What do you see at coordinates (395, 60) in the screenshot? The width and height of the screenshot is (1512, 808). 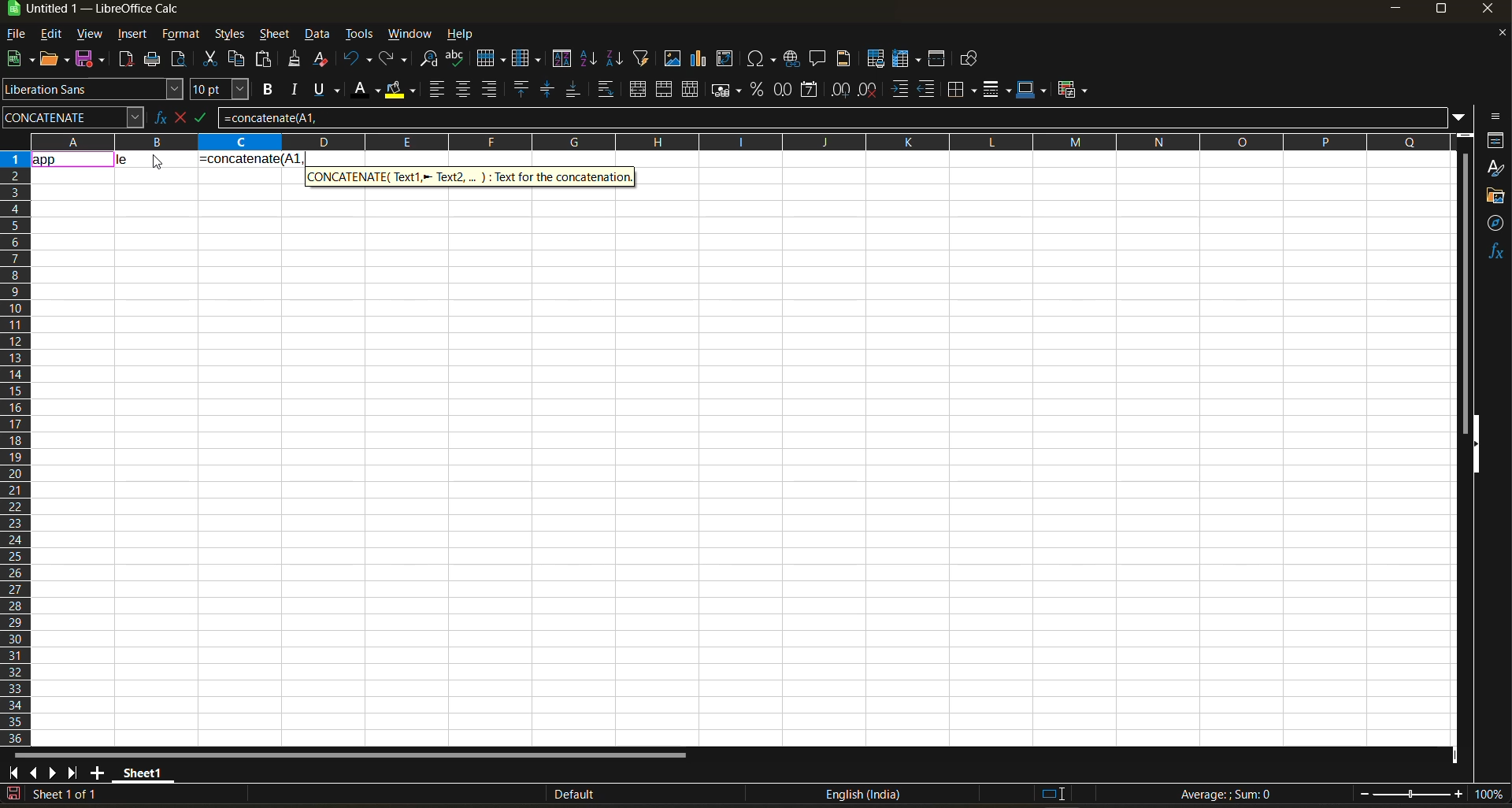 I see `redo ` at bounding box center [395, 60].